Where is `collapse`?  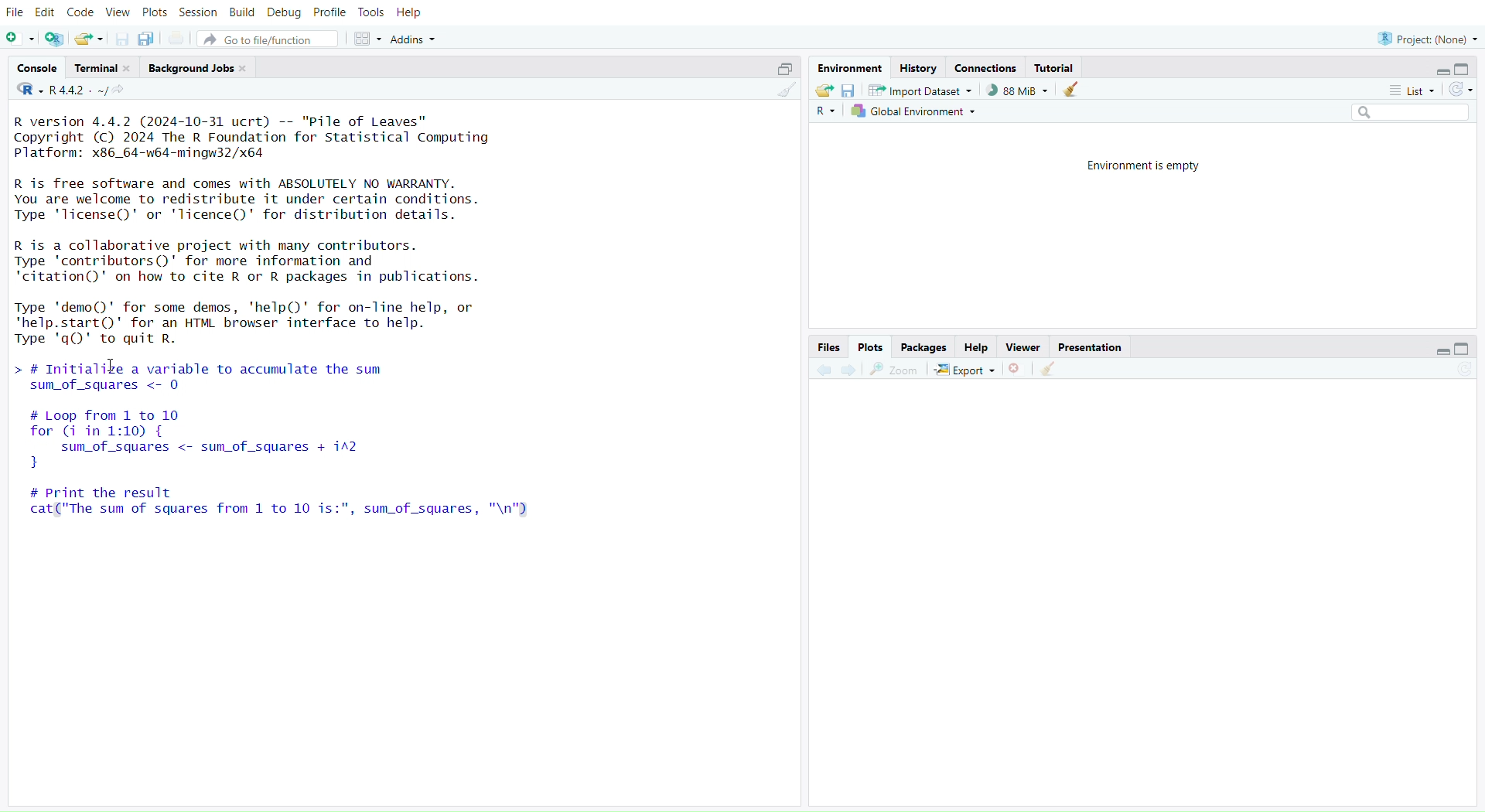 collapse is located at coordinates (1465, 70).